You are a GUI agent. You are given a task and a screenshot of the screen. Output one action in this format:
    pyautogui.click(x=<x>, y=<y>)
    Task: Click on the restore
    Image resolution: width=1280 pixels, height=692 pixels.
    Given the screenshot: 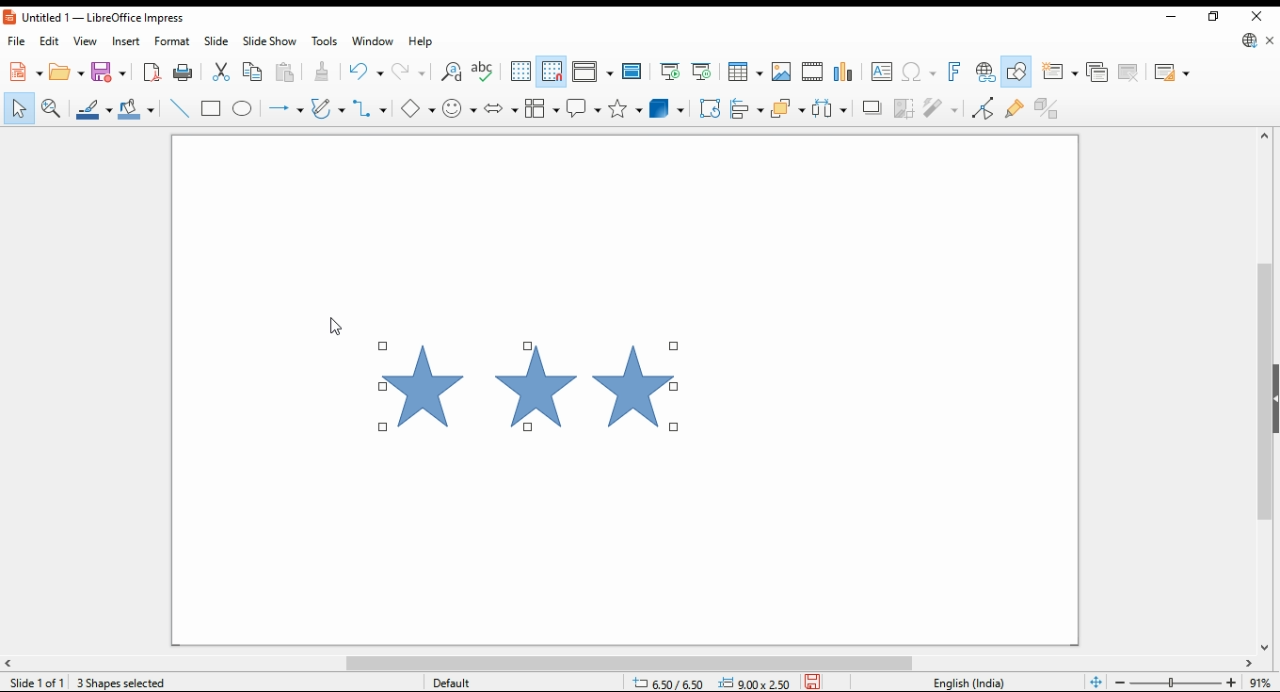 What is the action you would take?
    pyautogui.click(x=1215, y=17)
    